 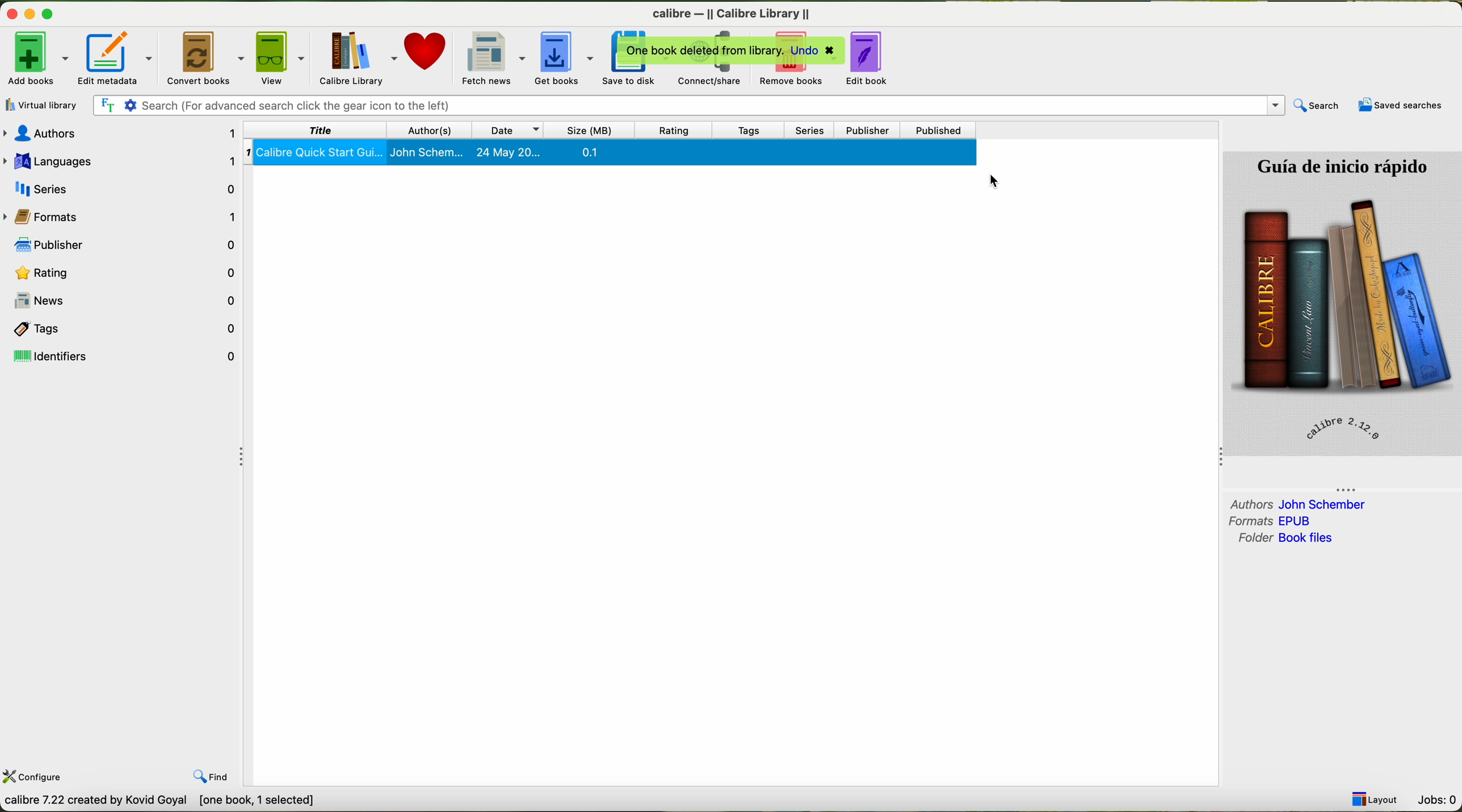 I want to click on saved searches, so click(x=1399, y=105).